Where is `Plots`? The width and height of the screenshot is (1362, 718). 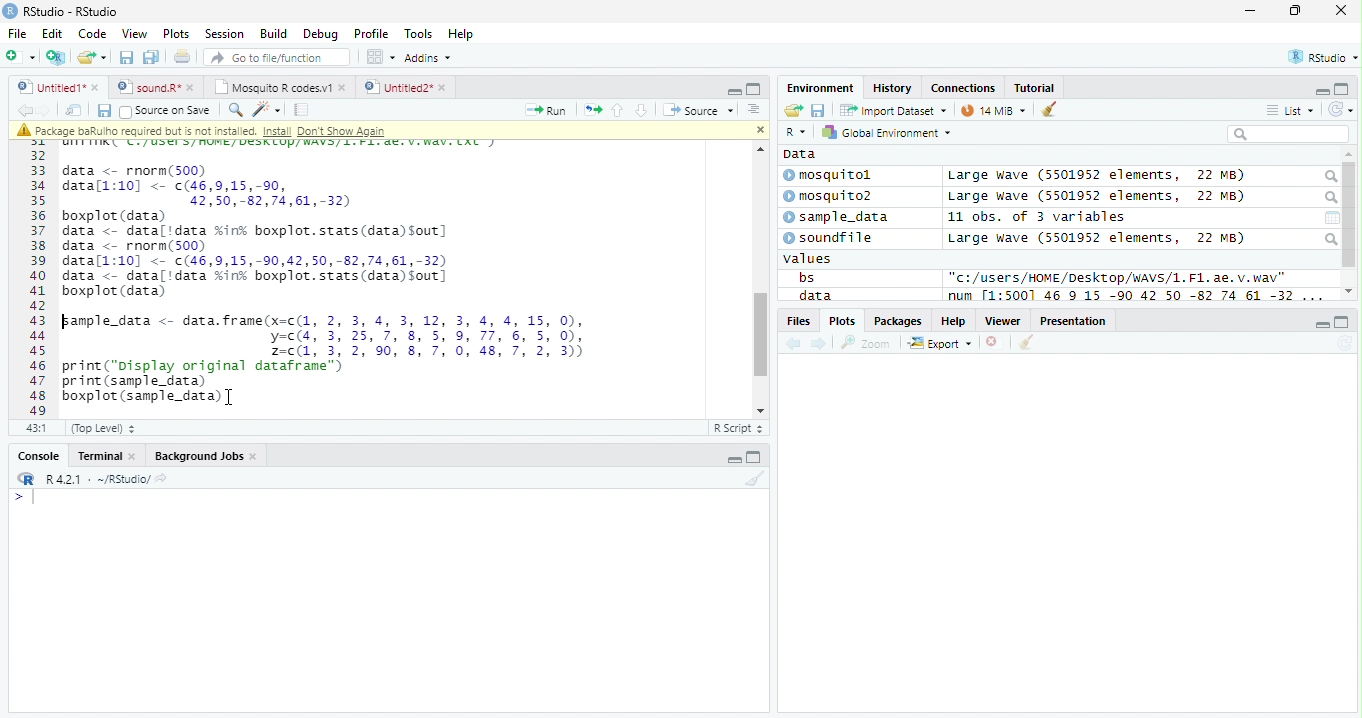
Plots is located at coordinates (841, 321).